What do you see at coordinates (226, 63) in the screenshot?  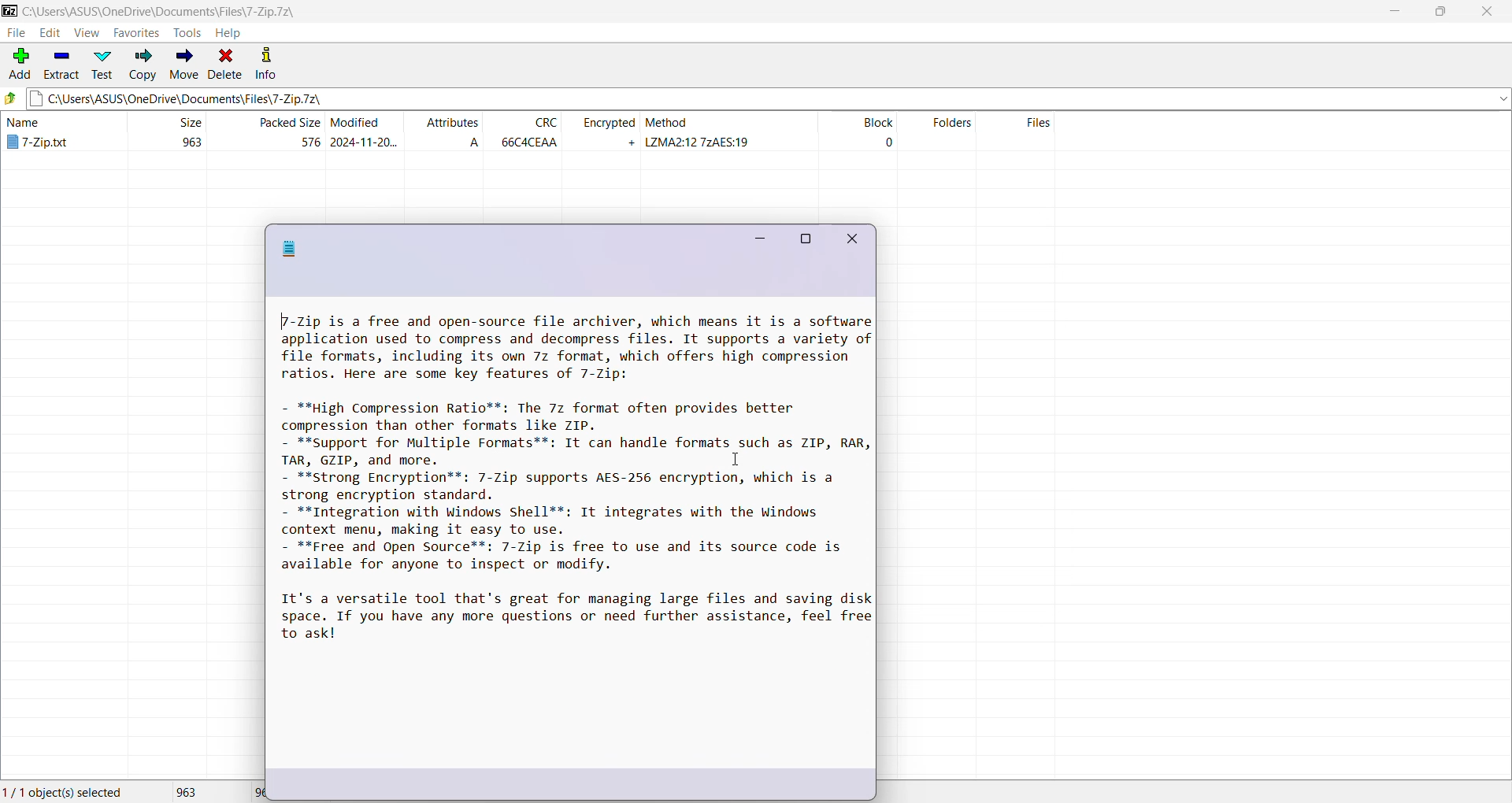 I see `Delete` at bounding box center [226, 63].